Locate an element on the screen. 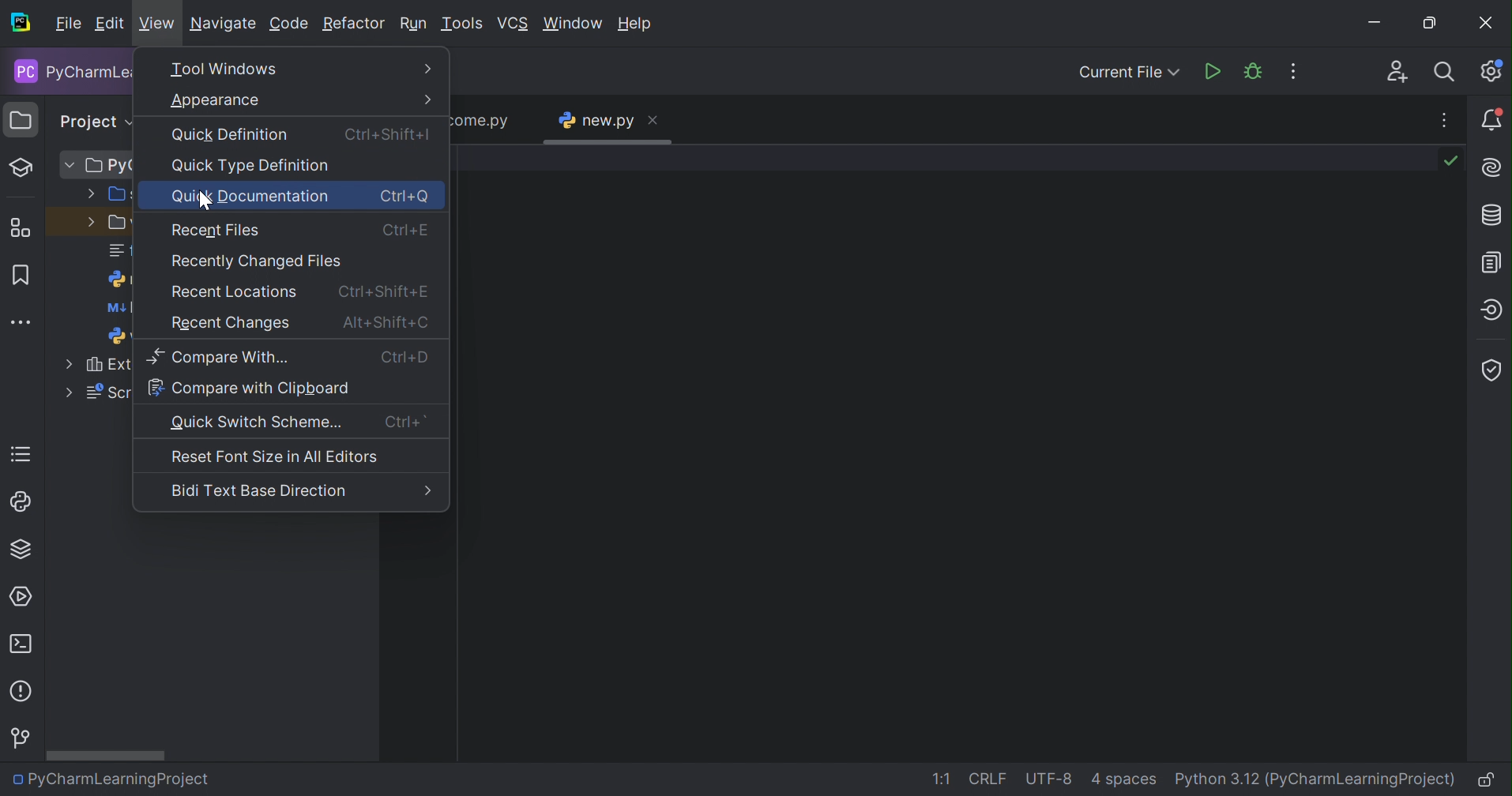 The width and height of the screenshot is (1512, 796). Quick Switch Scheme... is located at coordinates (256, 423).